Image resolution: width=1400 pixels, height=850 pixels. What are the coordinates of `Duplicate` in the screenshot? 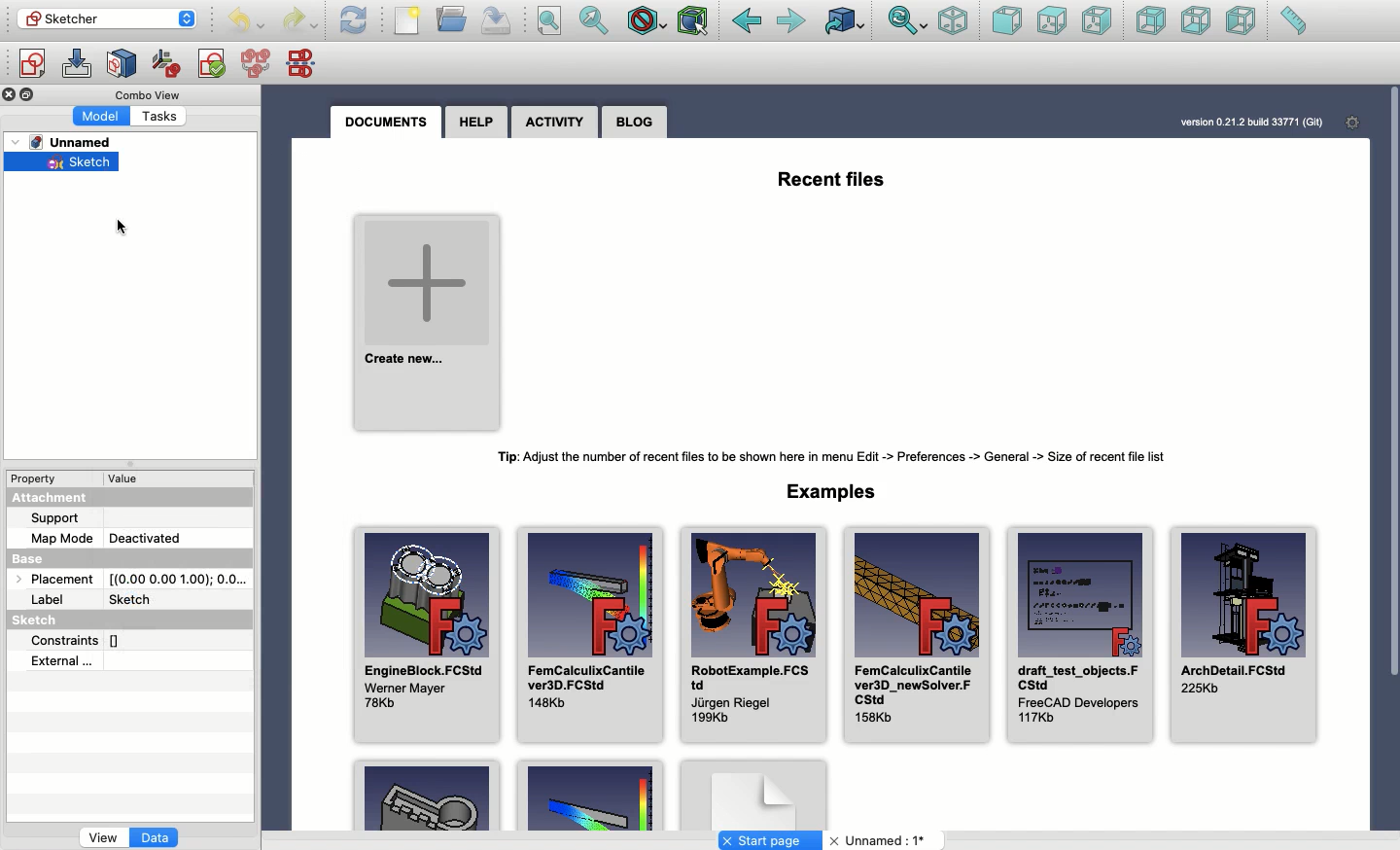 It's located at (30, 95).